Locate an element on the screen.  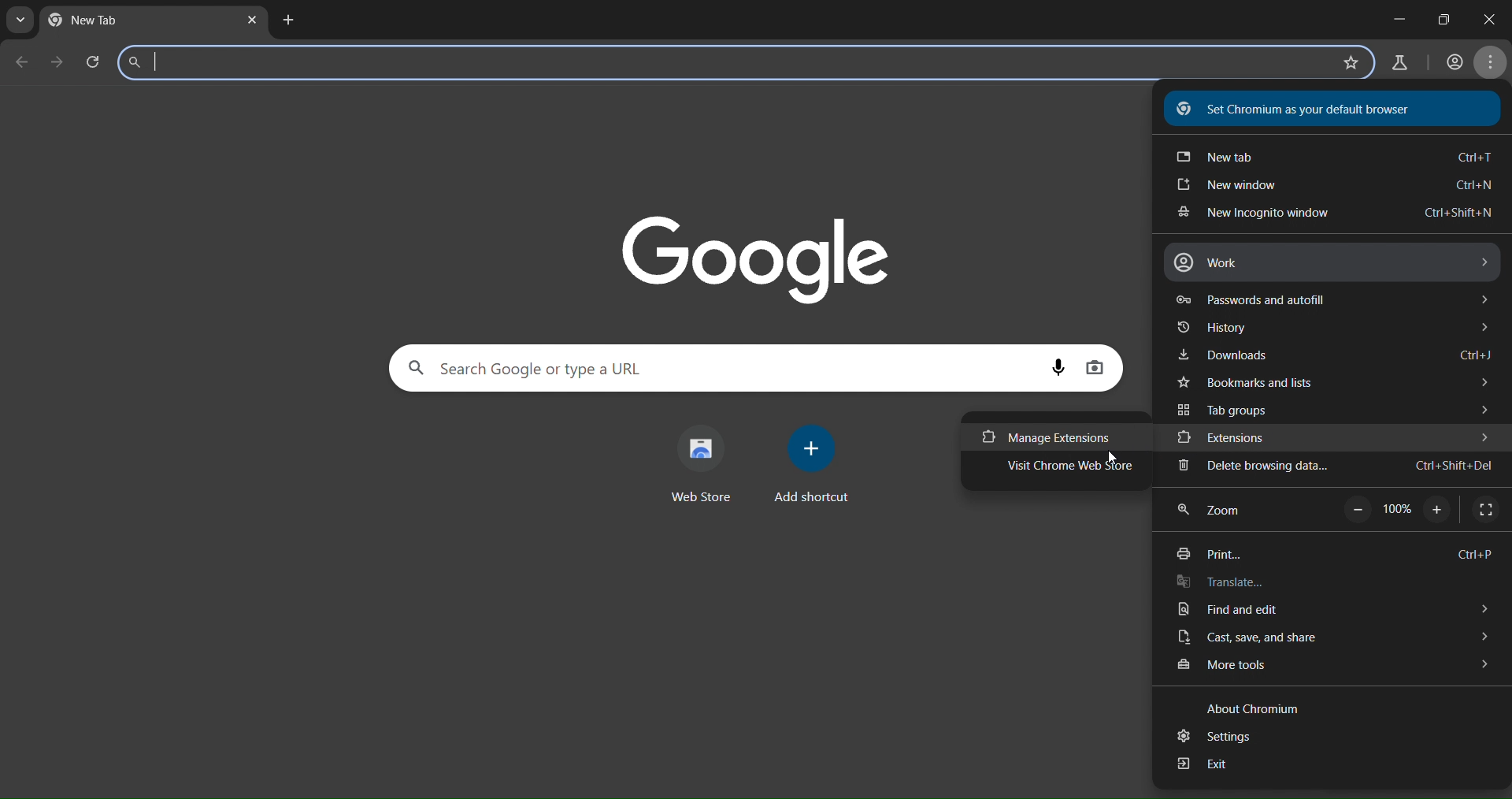
work is located at coordinates (1332, 262).